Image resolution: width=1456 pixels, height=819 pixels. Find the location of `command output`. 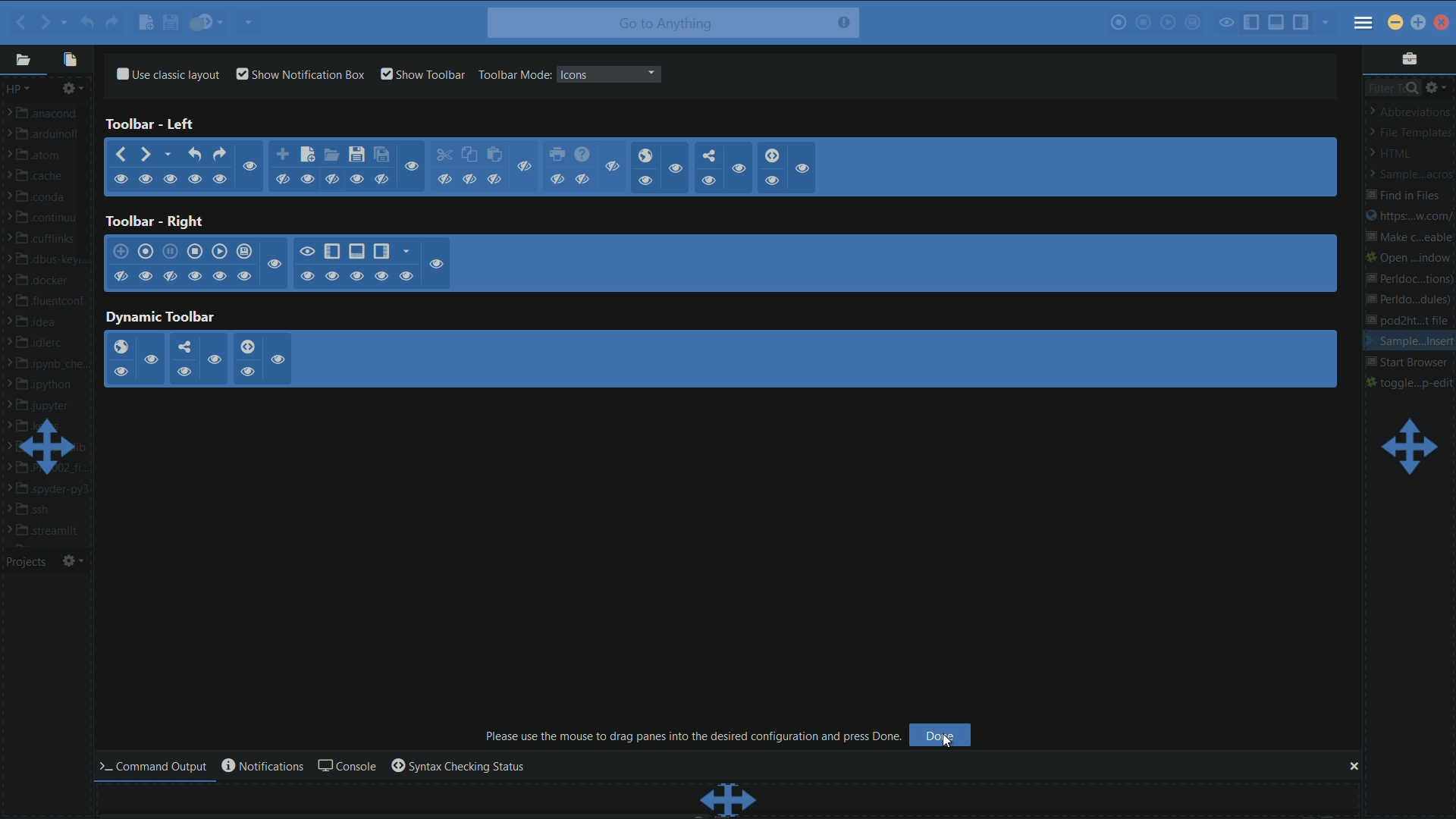

command output is located at coordinates (157, 766).